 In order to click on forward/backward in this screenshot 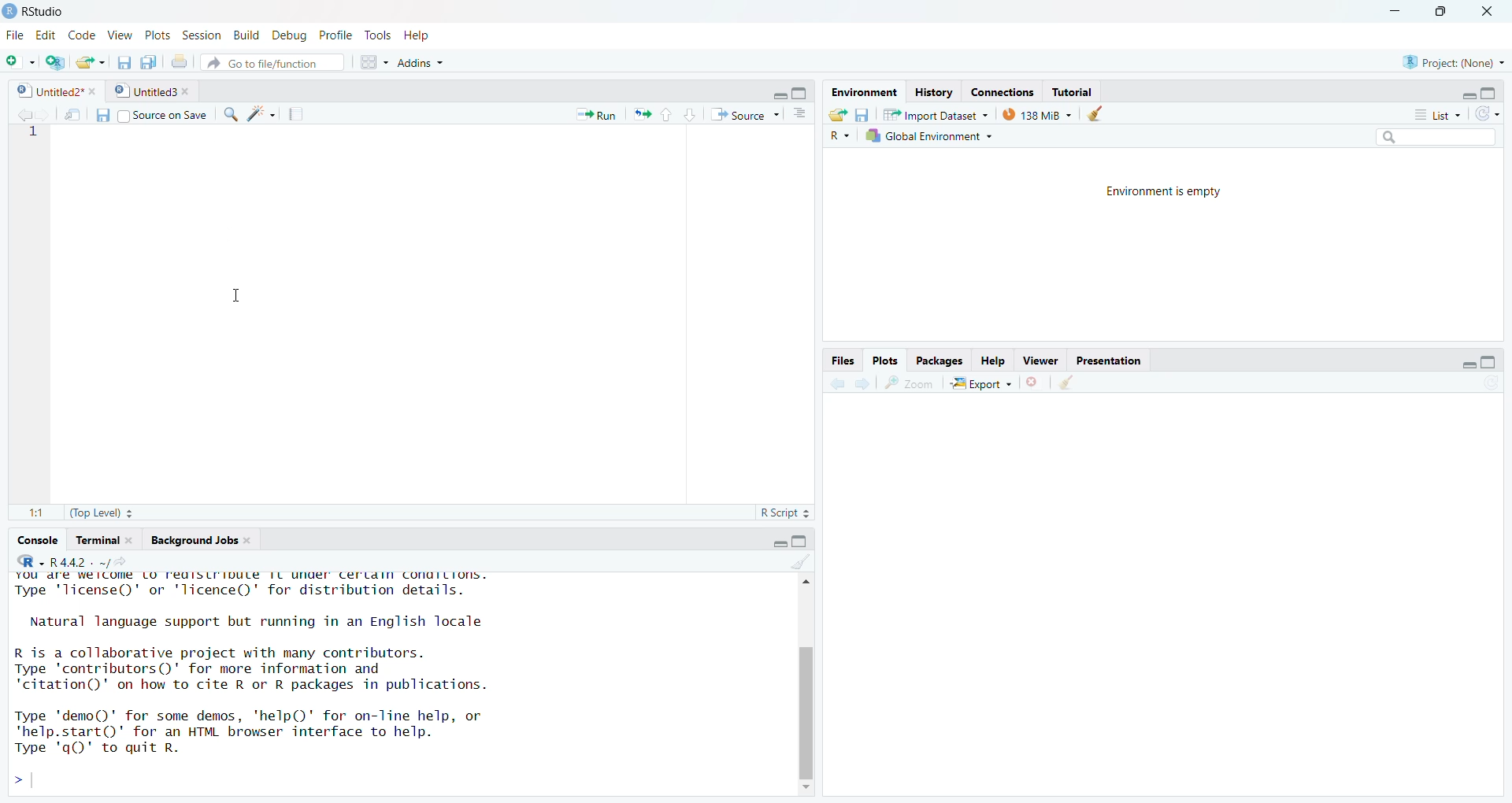, I will do `click(28, 116)`.